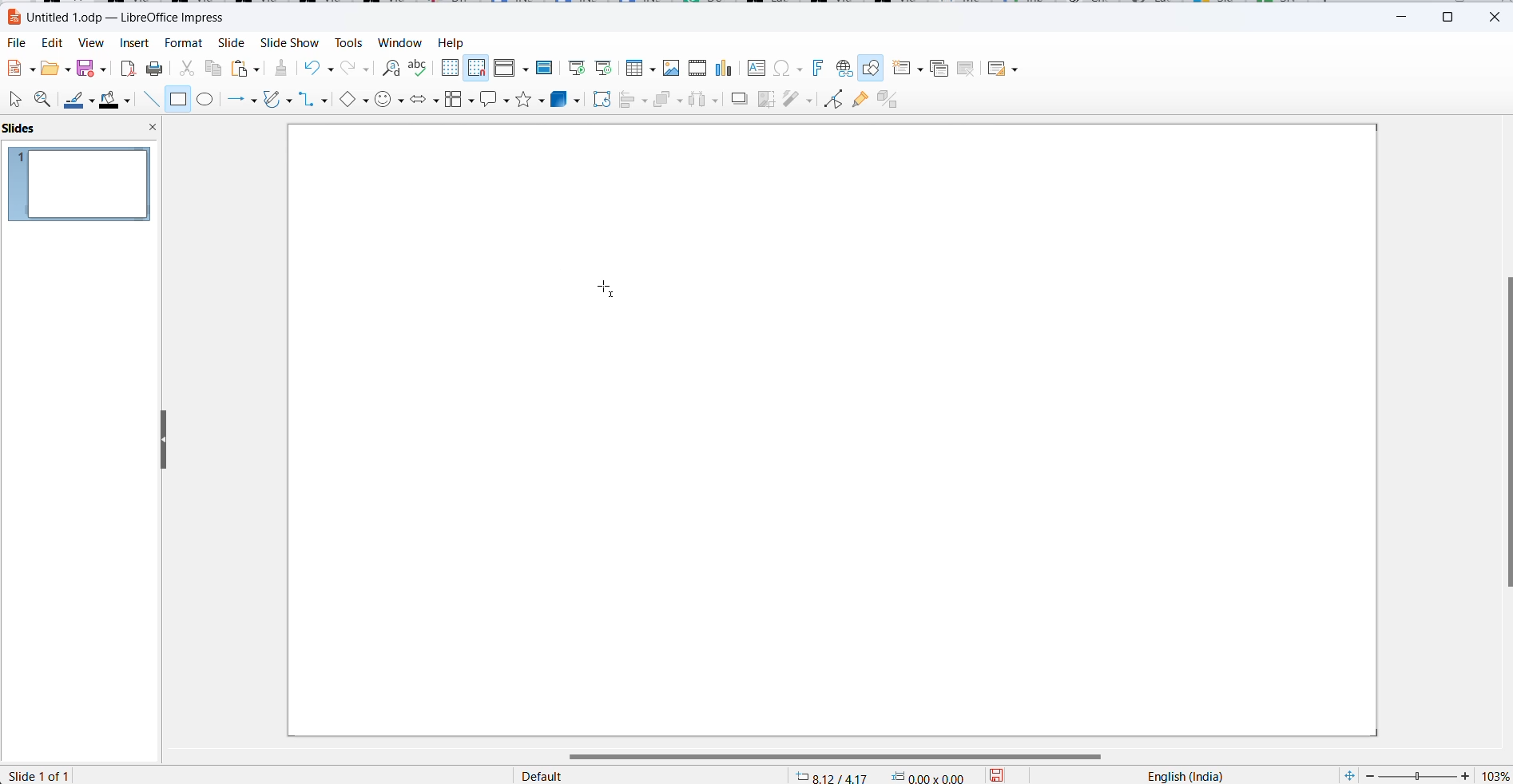 Image resolution: width=1513 pixels, height=784 pixels. I want to click on callout shapes, so click(495, 98).